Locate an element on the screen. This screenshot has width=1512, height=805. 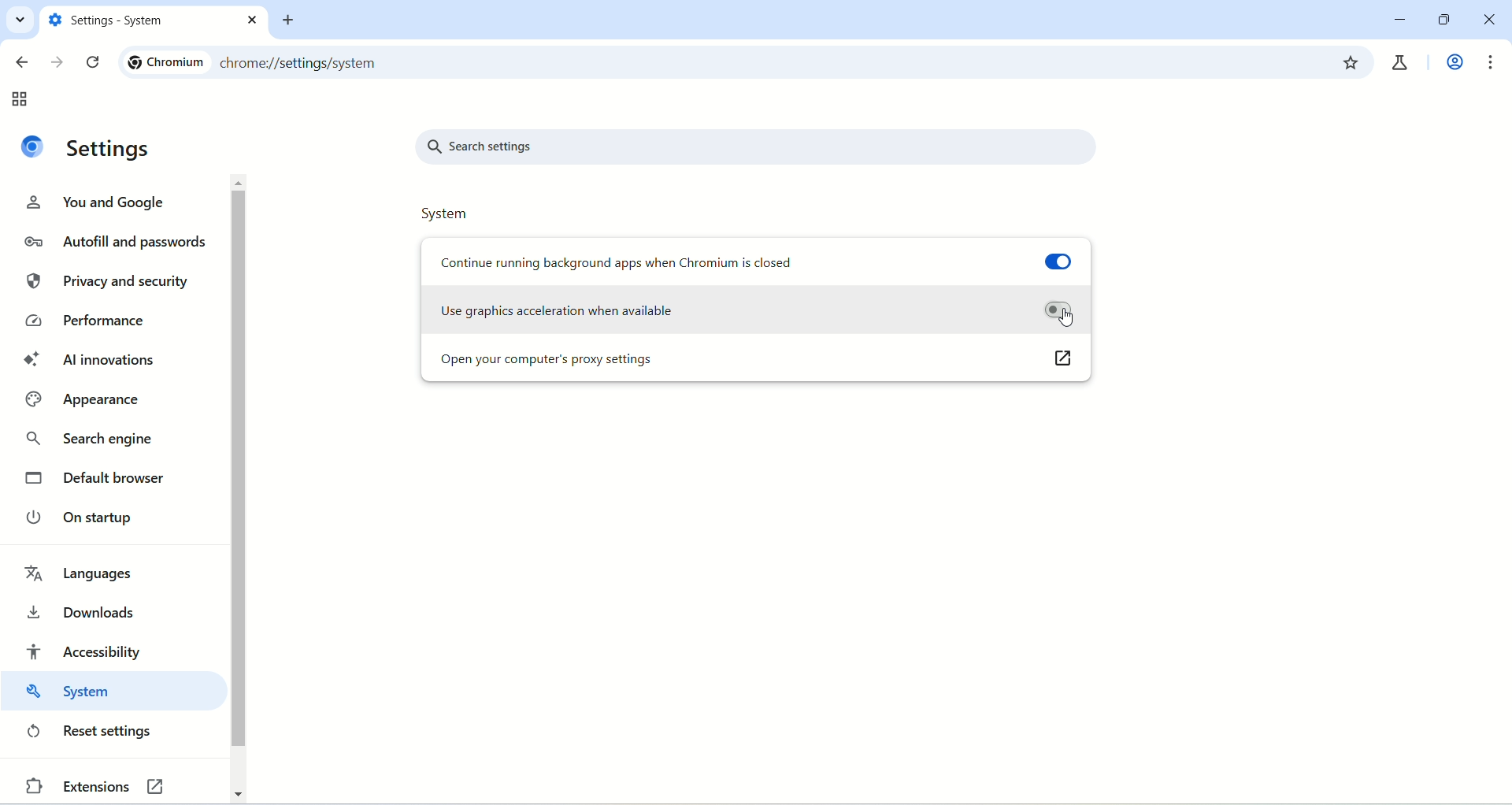
link is located at coordinates (1063, 365).